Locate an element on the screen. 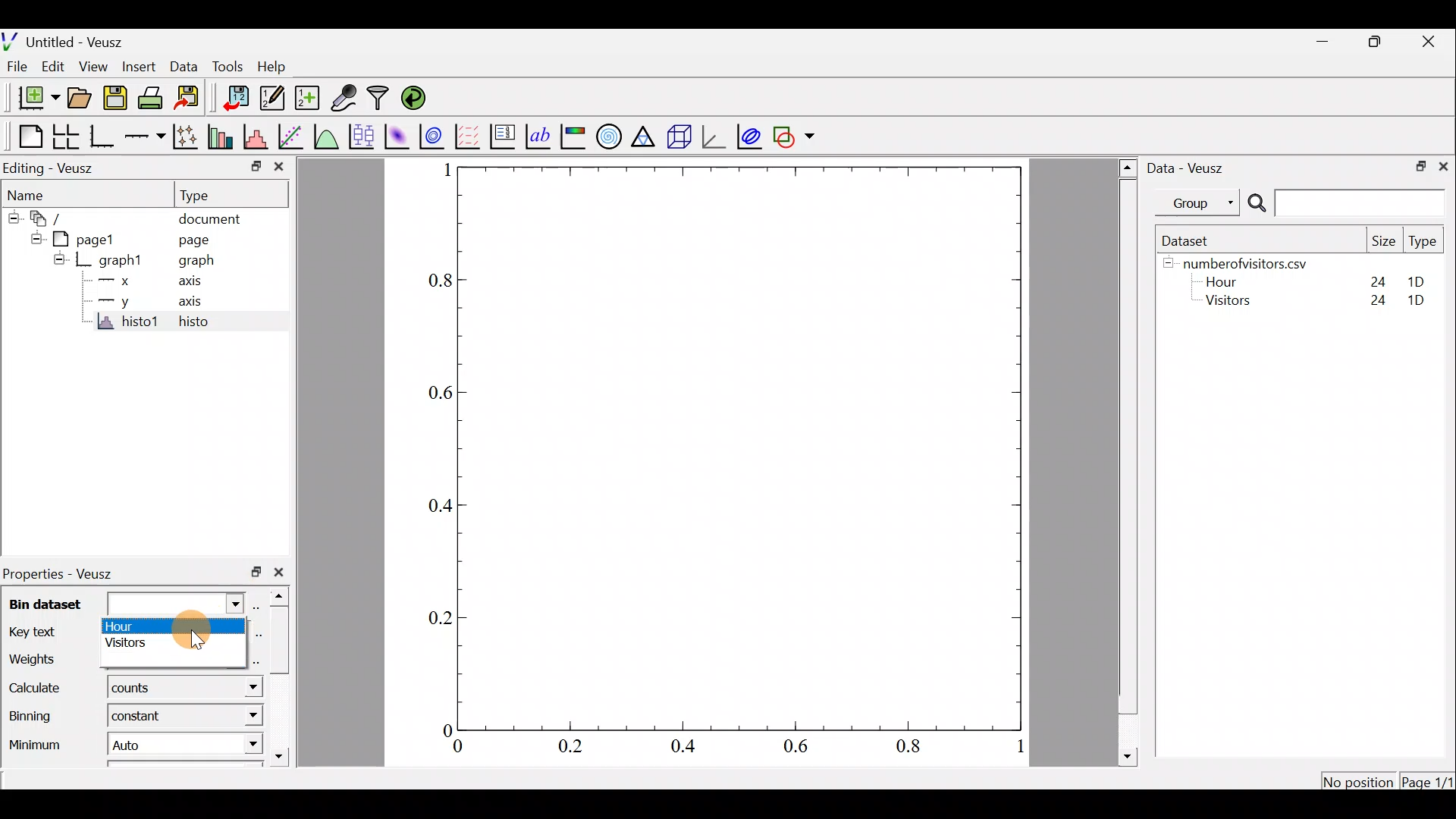  axis is located at coordinates (188, 305).